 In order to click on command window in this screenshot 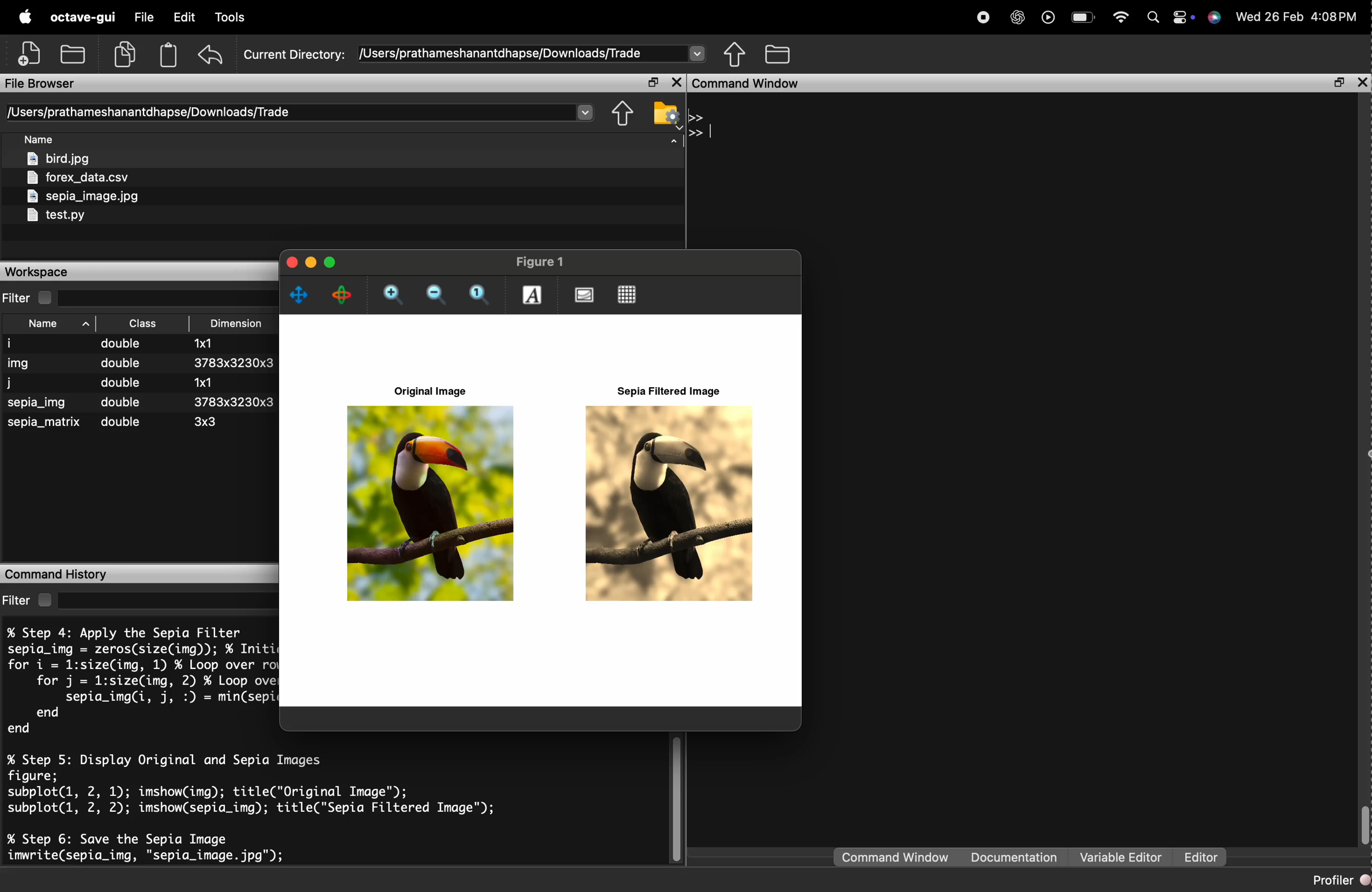, I will do `click(895, 856)`.